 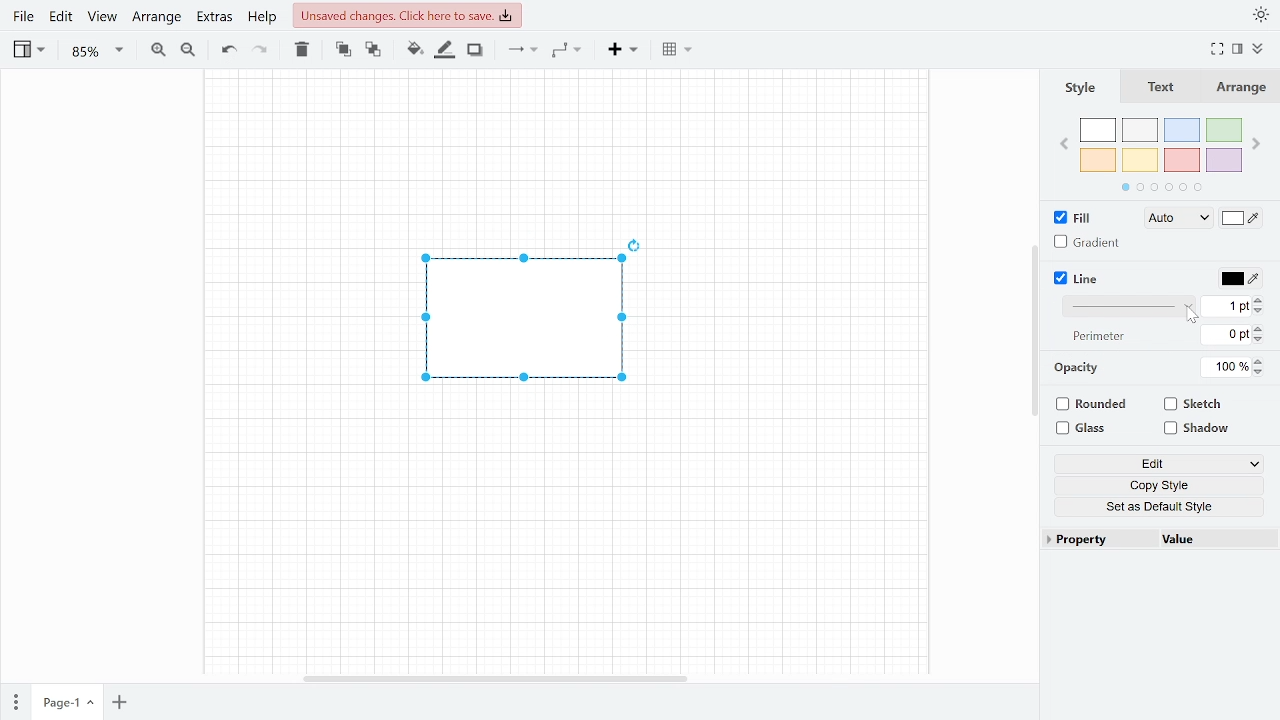 I want to click on Set as a defaultstyle, so click(x=1161, y=506).